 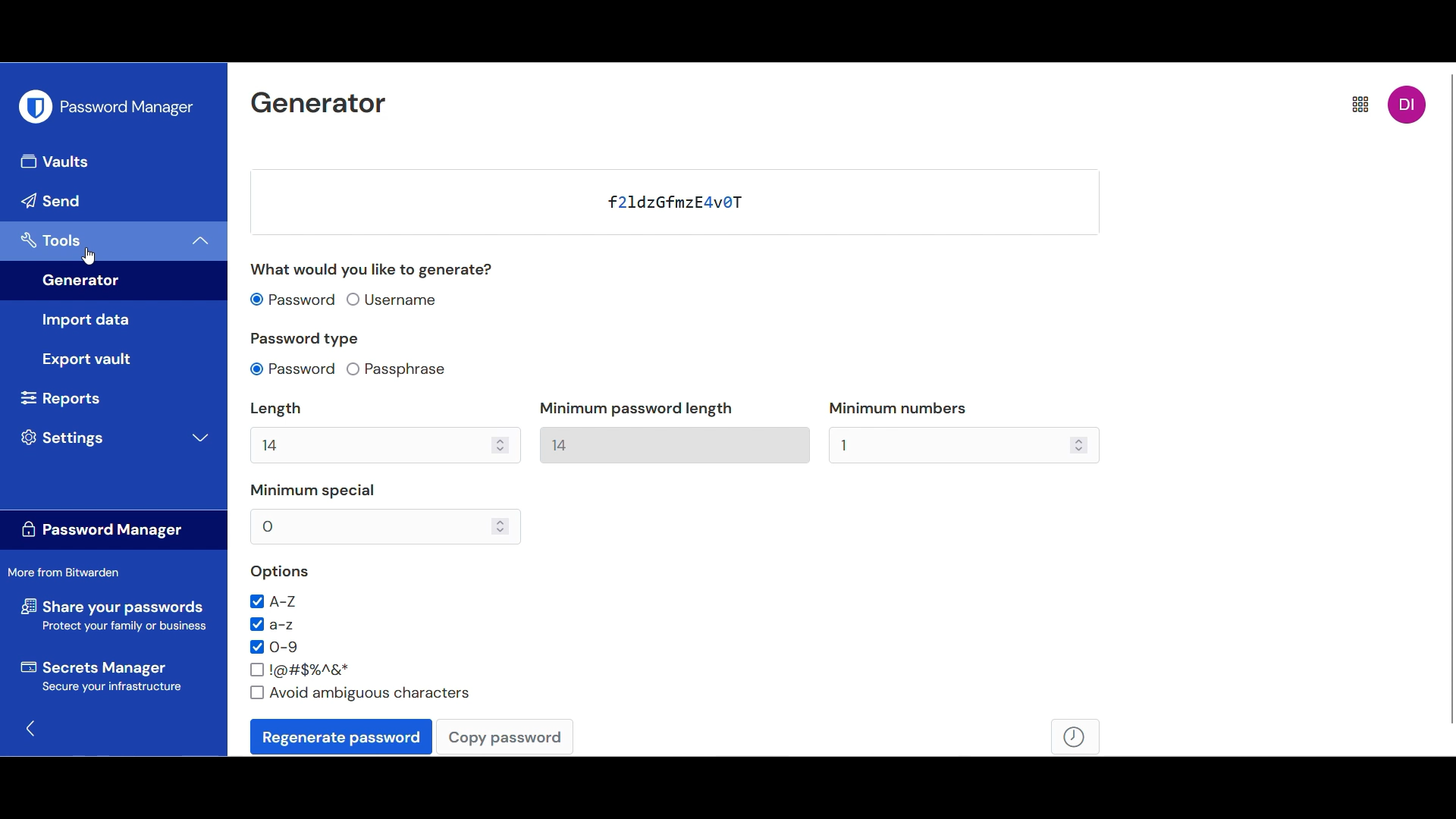 What do you see at coordinates (370, 445) in the screenshot?
I see `Input length manually` at bounding box center [370, 445].